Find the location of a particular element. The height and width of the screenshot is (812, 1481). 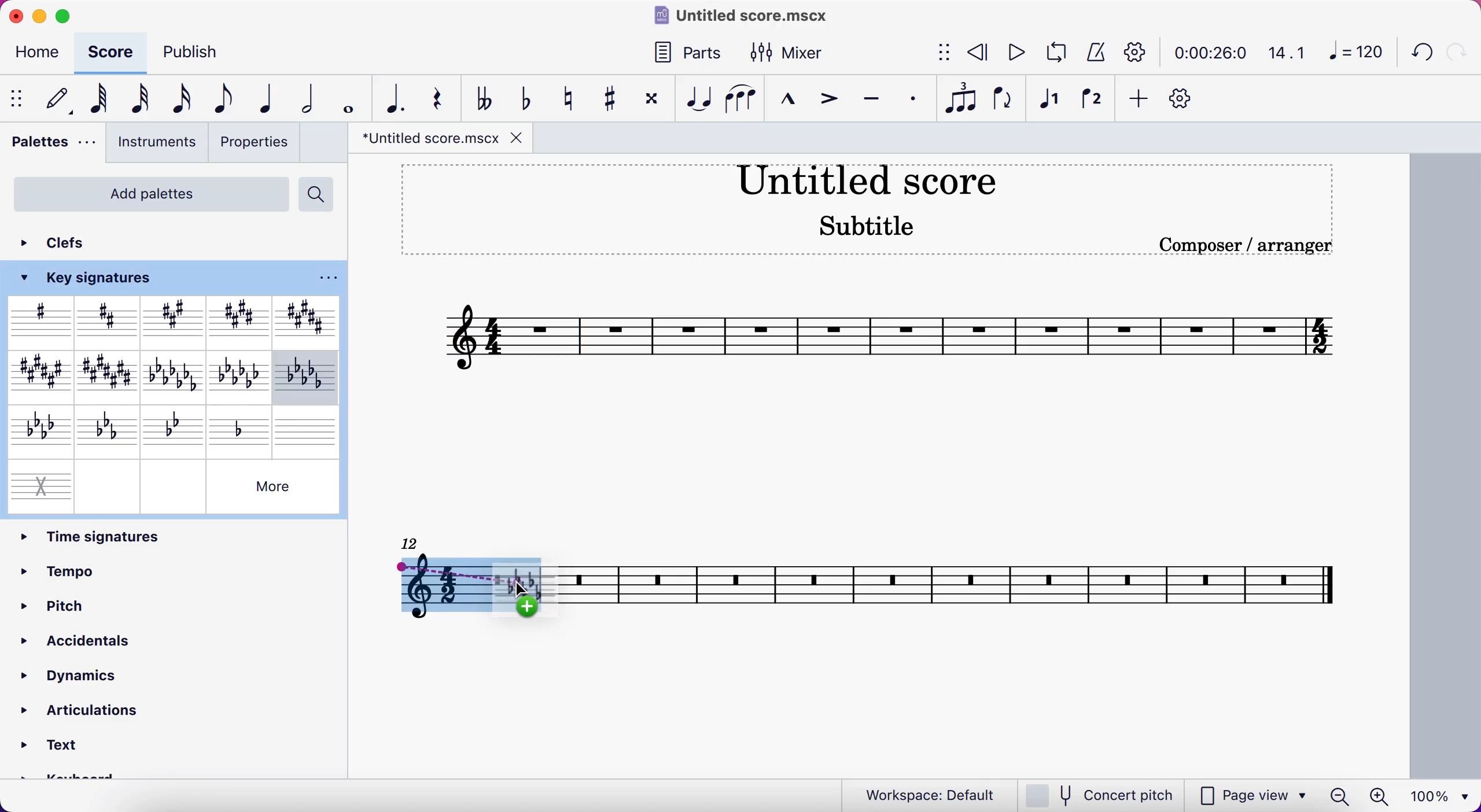

playback settings is located at coordinates (1132, 53).